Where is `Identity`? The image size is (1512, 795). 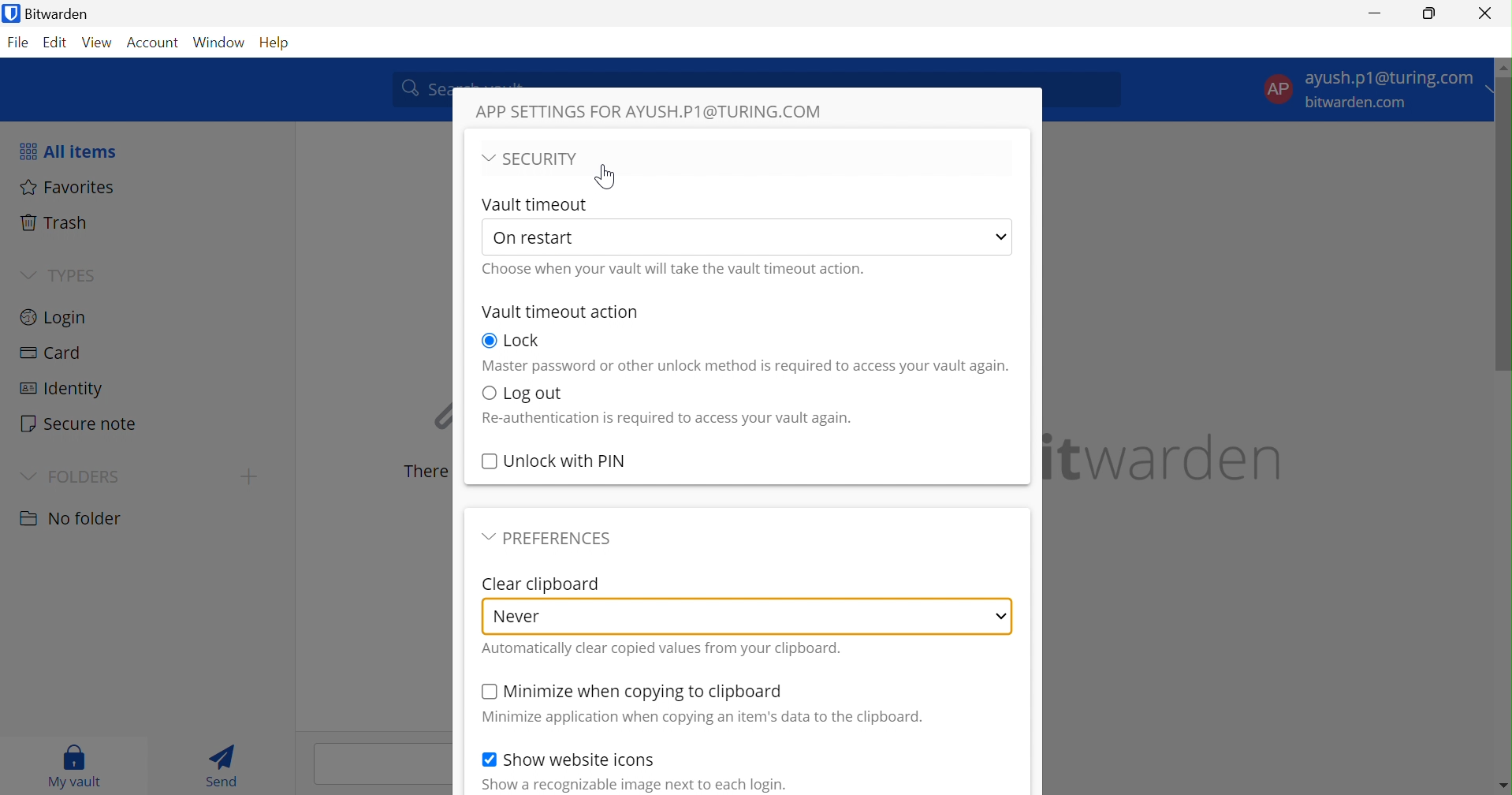 Identity is located at coordinates (68, 388).